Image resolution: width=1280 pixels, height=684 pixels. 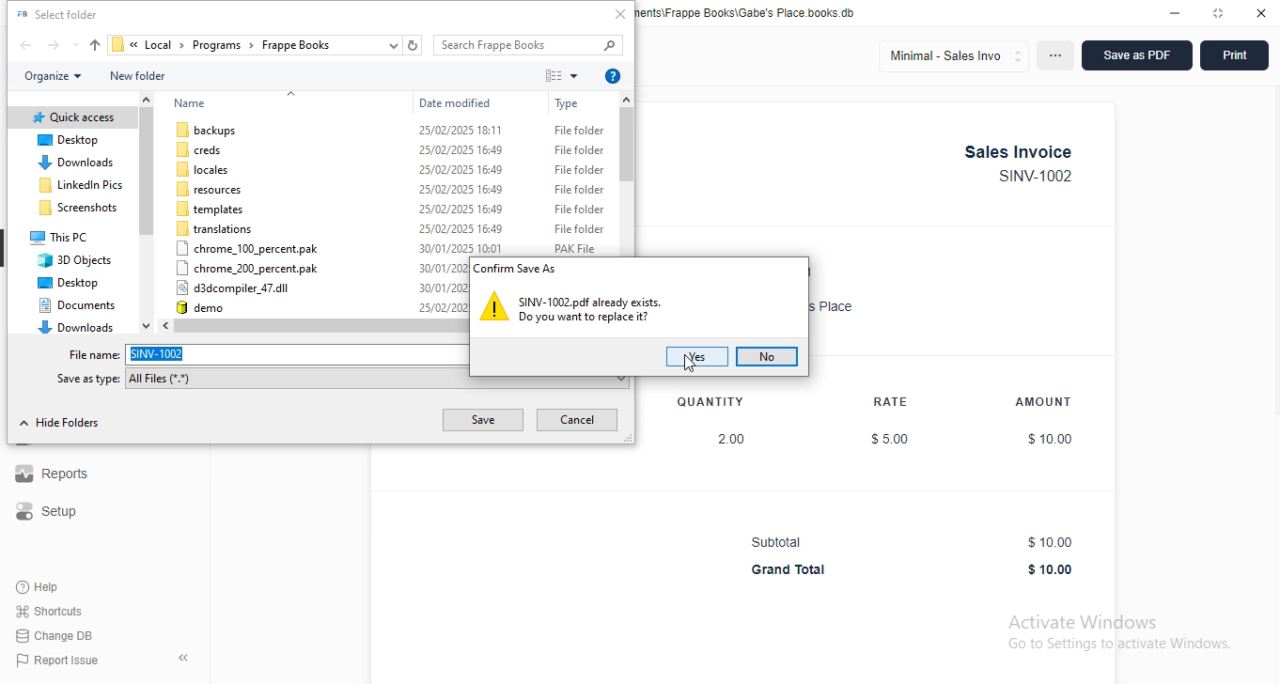 I want to click on desktop, so click(x=67, y=283).